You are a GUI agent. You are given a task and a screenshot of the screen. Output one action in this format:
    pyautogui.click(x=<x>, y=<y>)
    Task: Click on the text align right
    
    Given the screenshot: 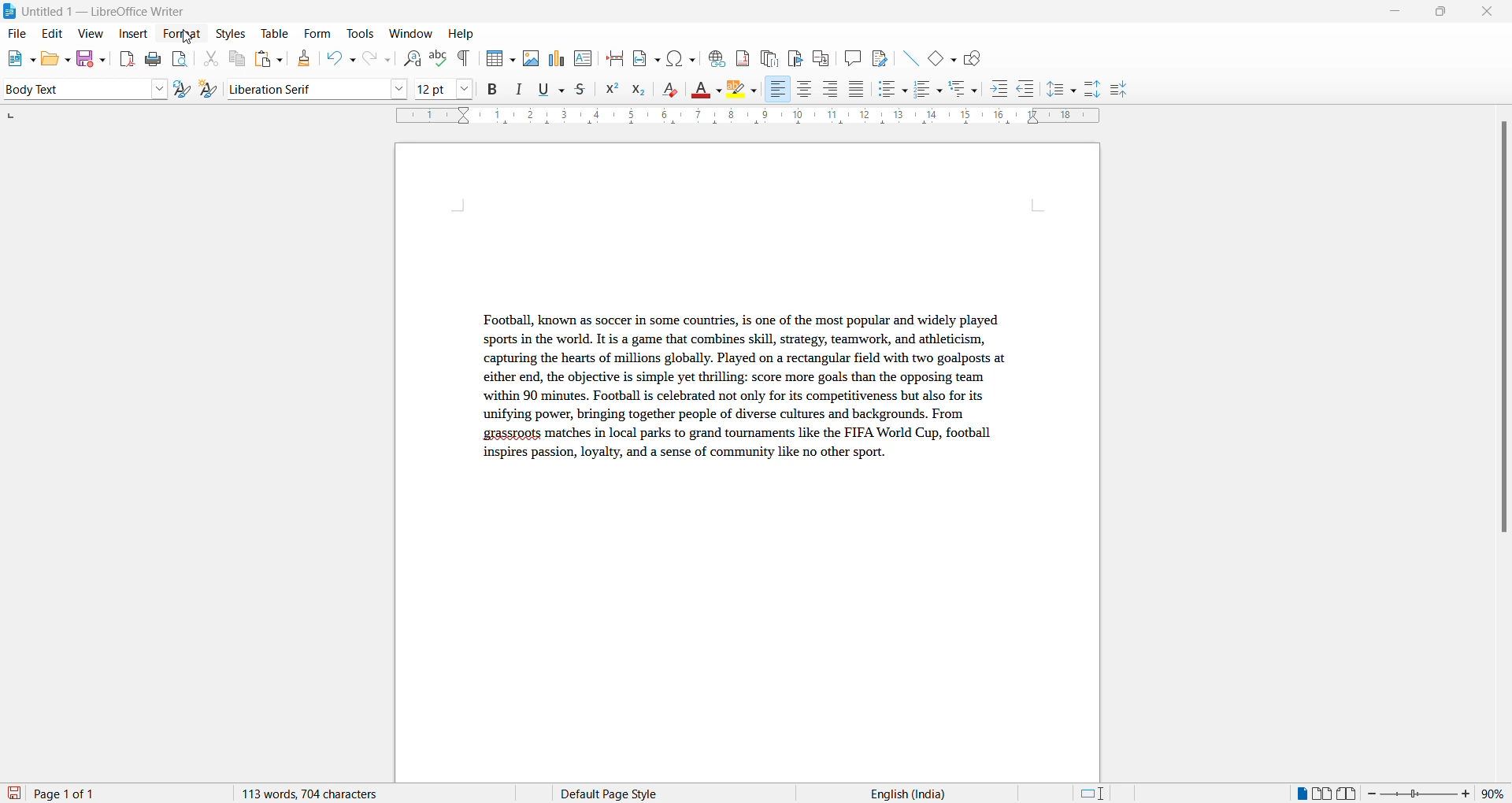 What is the action you would take?
    pyautogui.click(x=833, y=90)
    